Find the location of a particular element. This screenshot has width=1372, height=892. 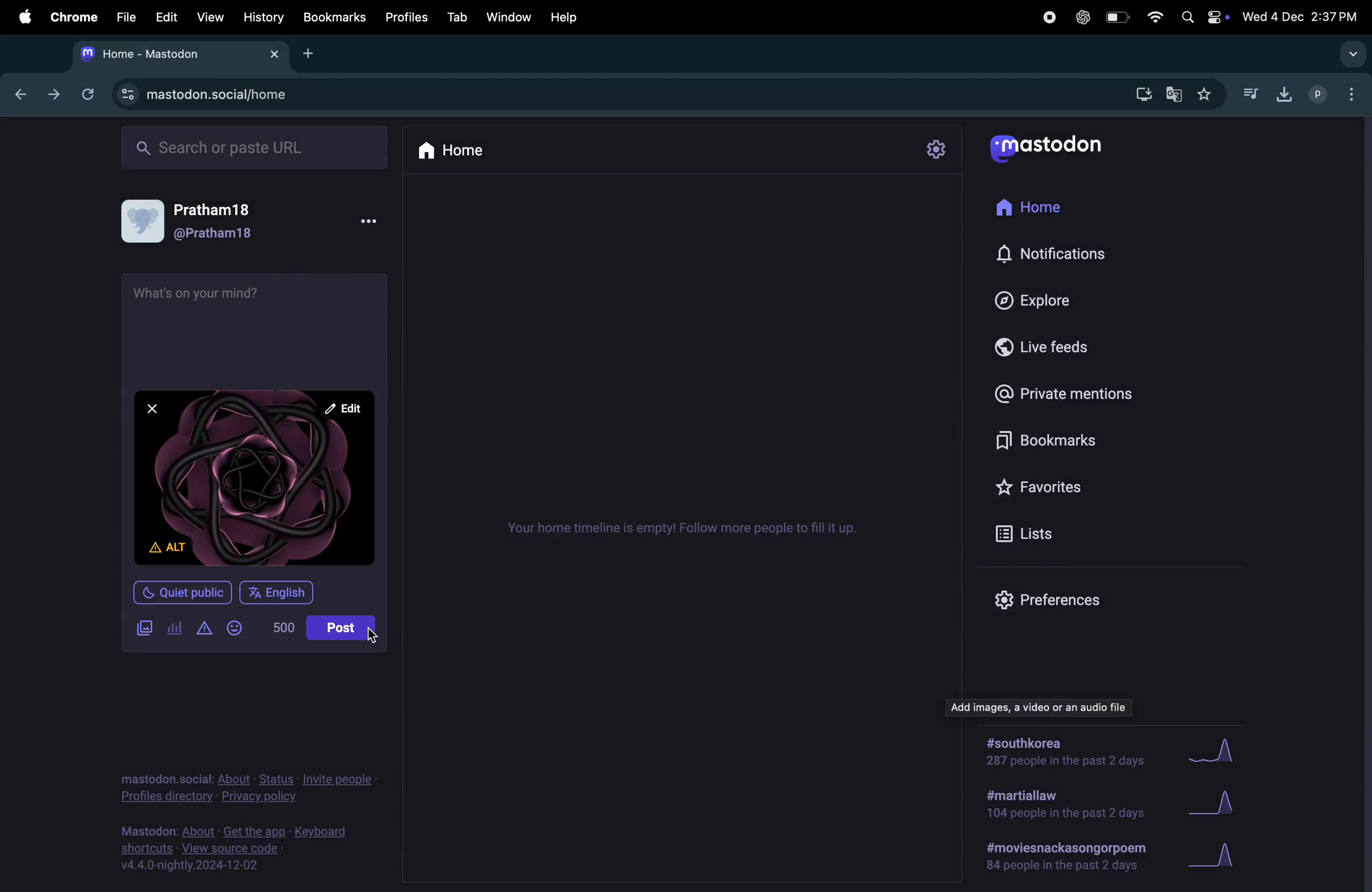

home is located at coordinates (1032, 209).